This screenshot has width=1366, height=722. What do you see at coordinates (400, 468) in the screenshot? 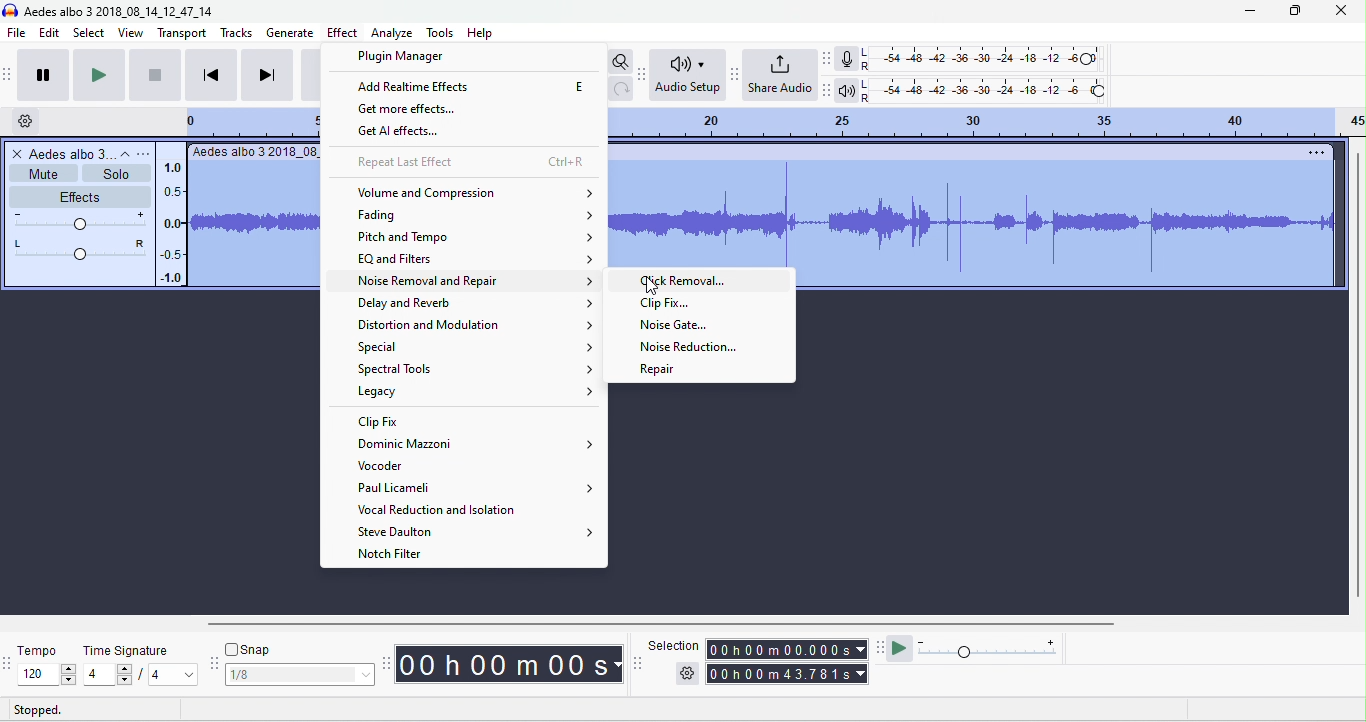
I see `vocoder` at bounding box center [400, 468].